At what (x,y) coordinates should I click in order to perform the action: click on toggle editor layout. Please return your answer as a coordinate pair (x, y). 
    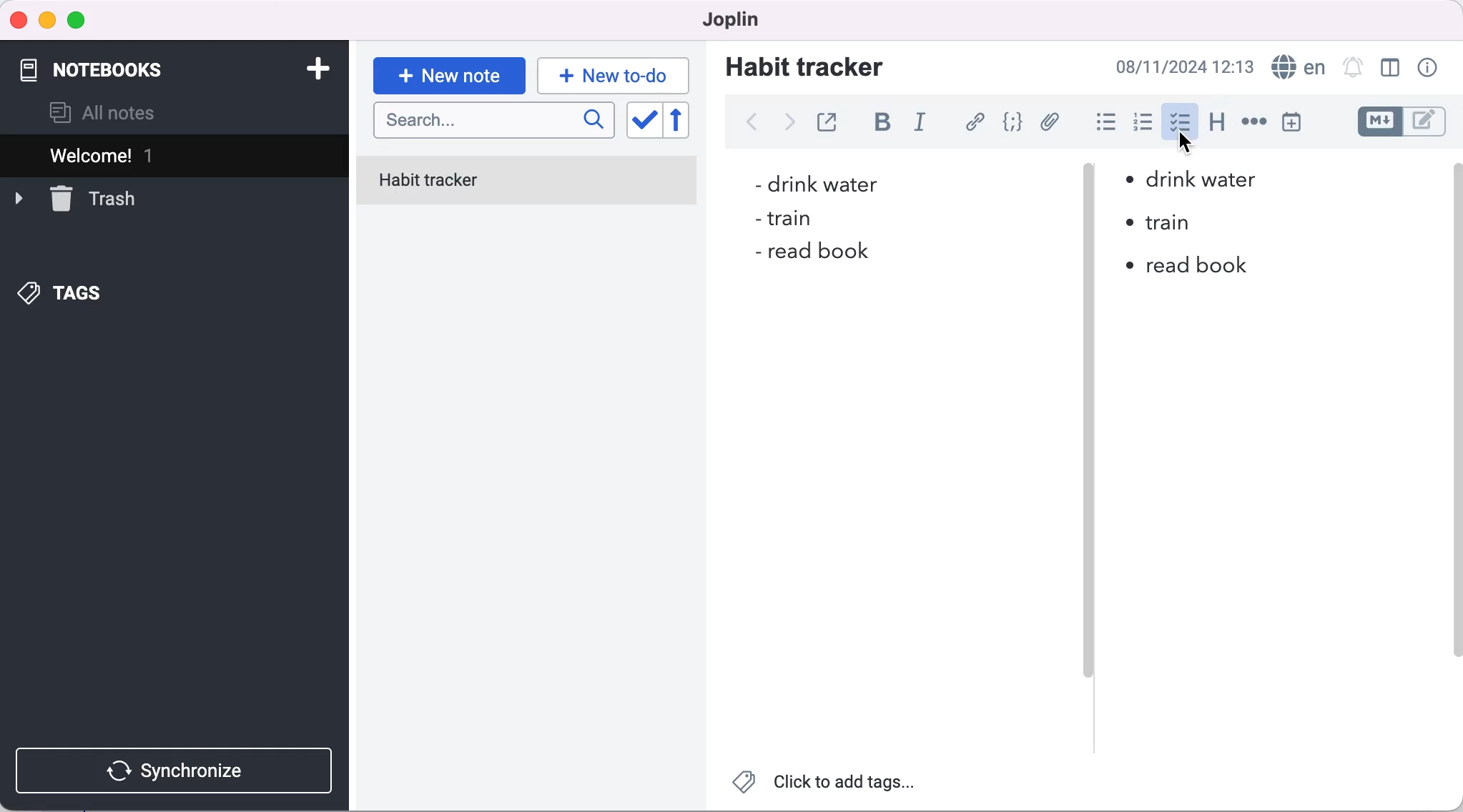
    Looking at the image, I should click on (1391, 68).